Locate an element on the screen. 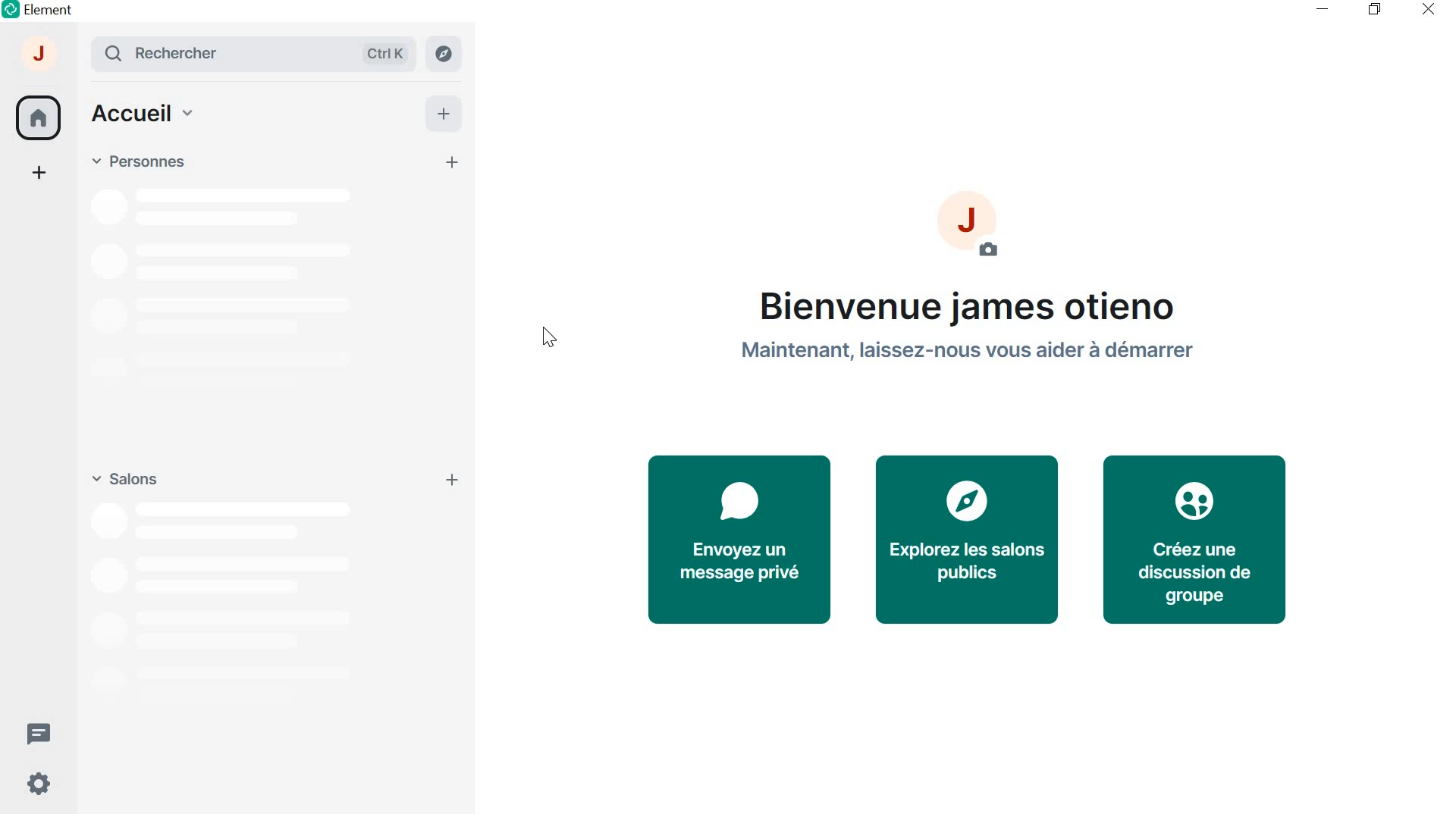 The width and height of the screenshot is (1456, 814). ADD ROOMS is located at coordinates (455, 480).